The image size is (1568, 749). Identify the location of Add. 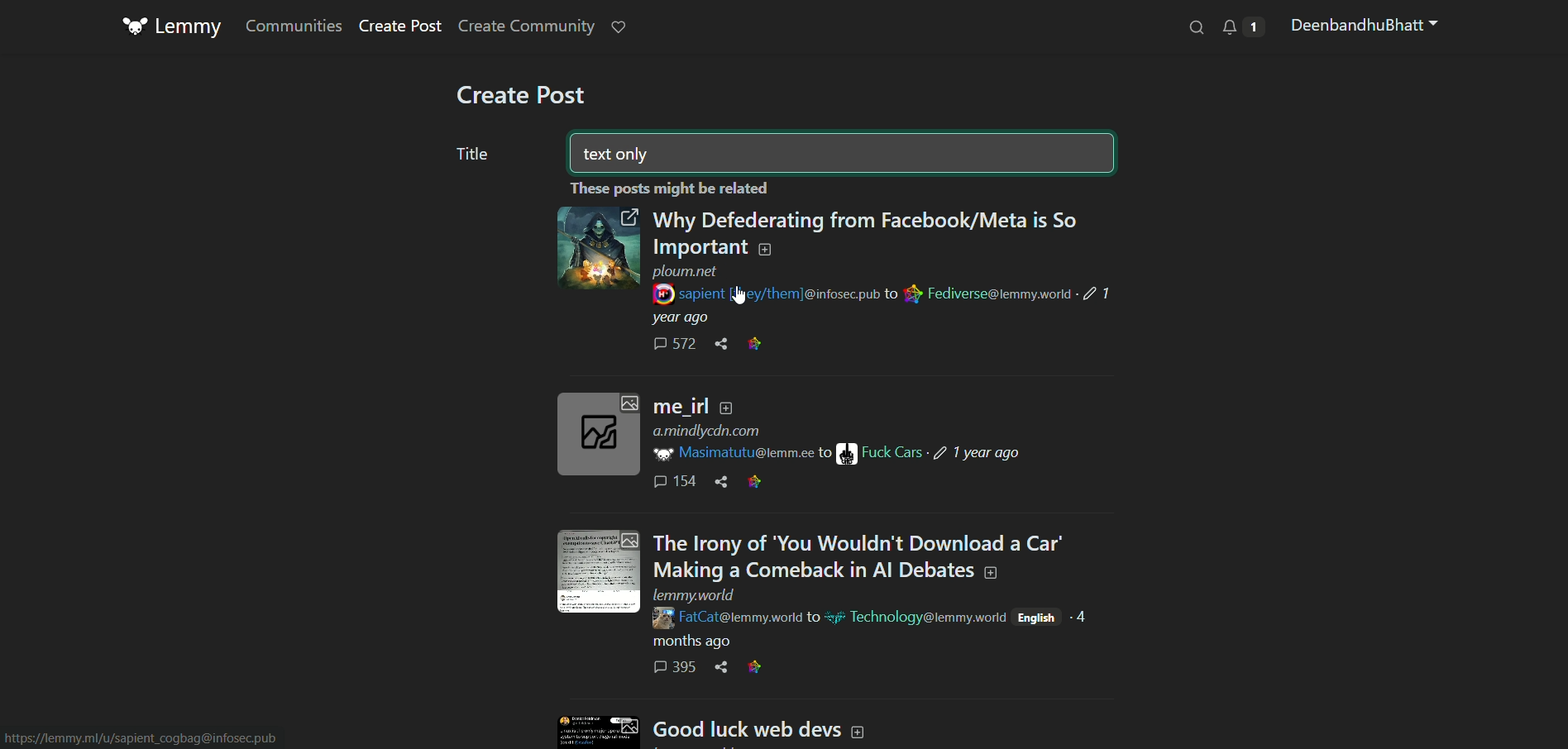
(765, 250).